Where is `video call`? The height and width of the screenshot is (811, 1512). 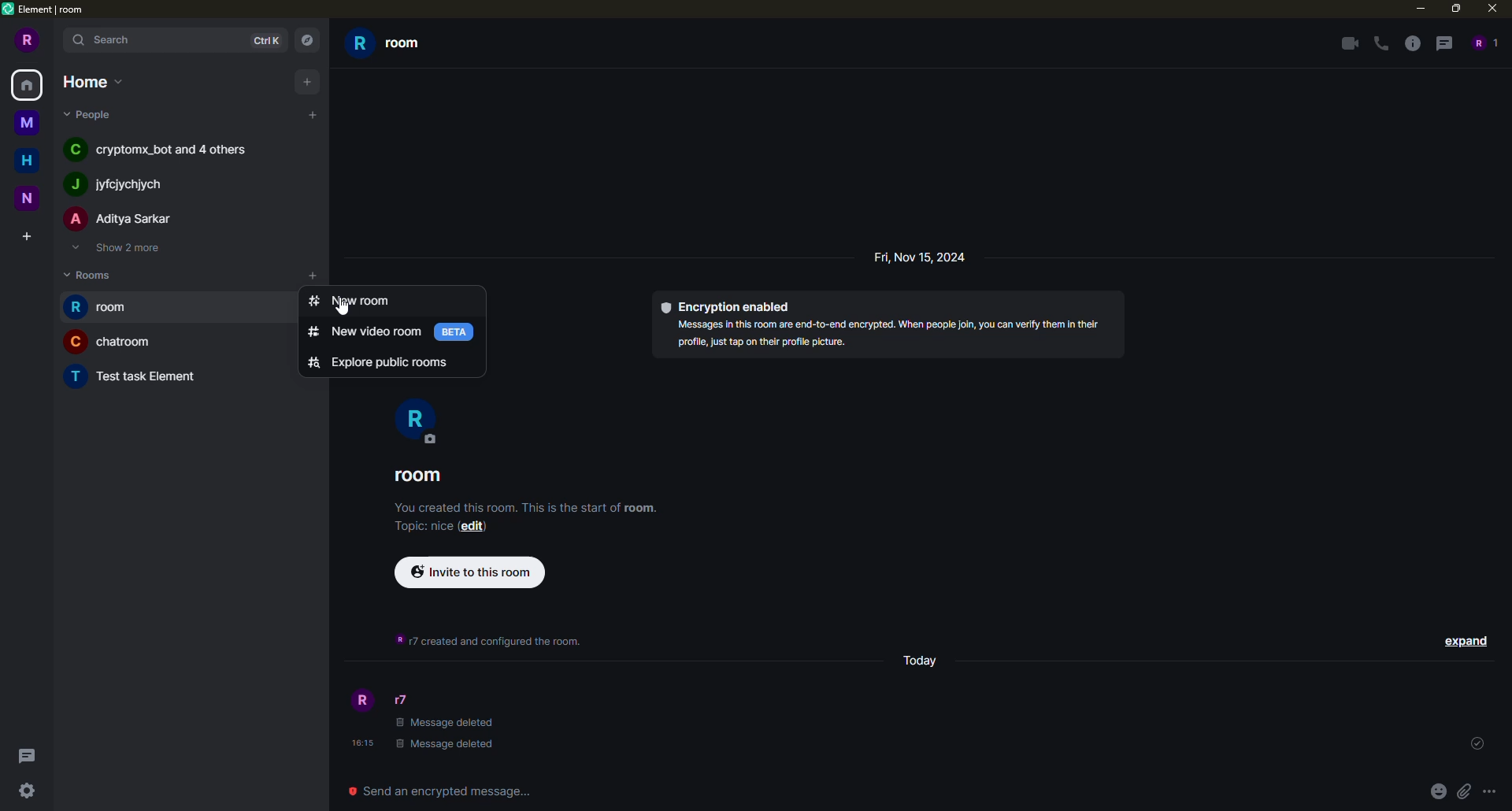
video call is located at coordinates (1347, 42).